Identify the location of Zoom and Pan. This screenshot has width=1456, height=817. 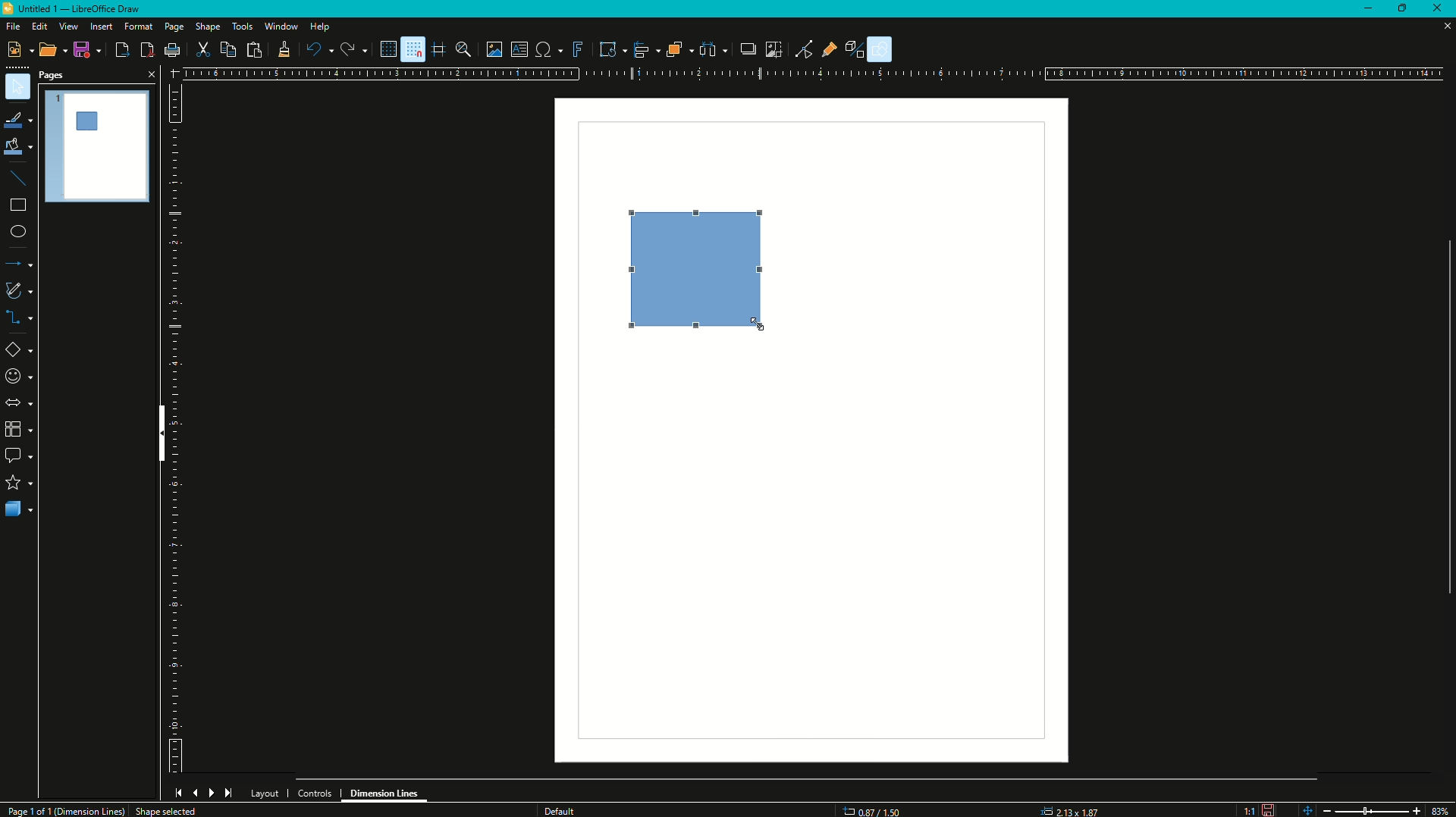
(466, 49).